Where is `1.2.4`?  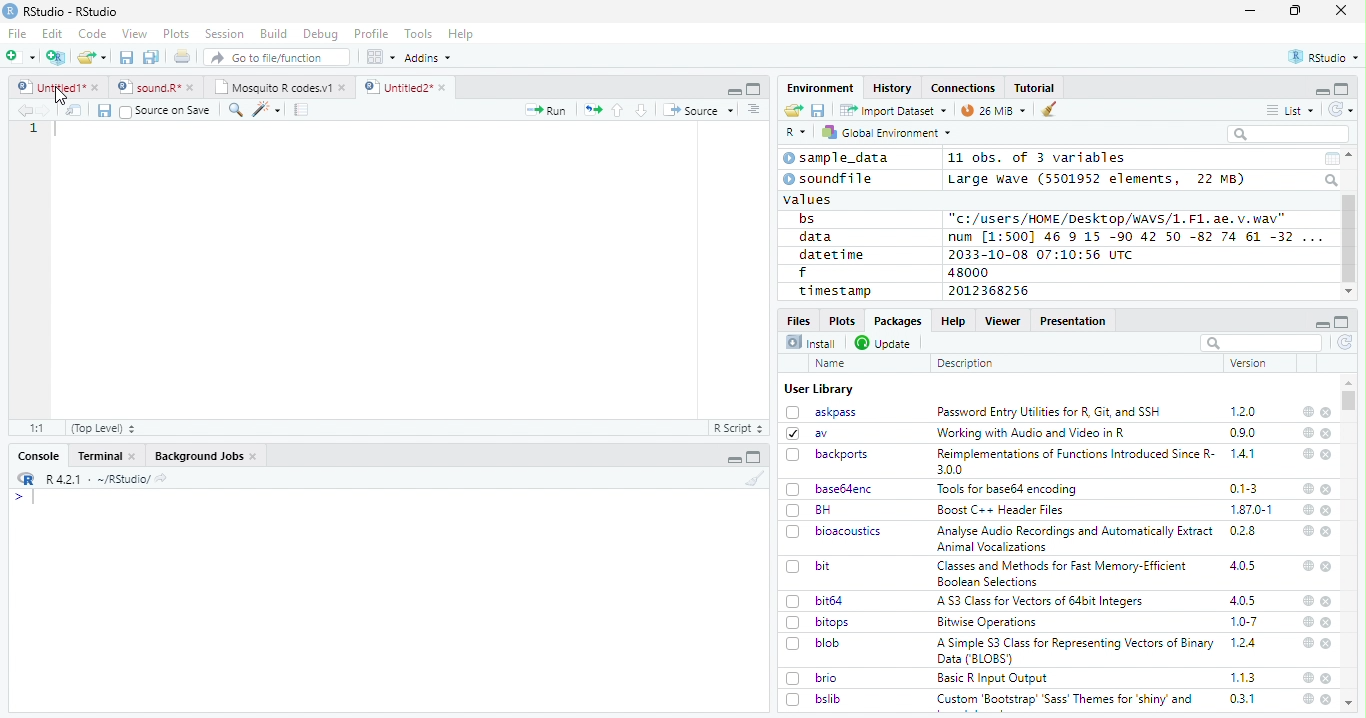
1.2.4 is located at coordinates (1245, 642).